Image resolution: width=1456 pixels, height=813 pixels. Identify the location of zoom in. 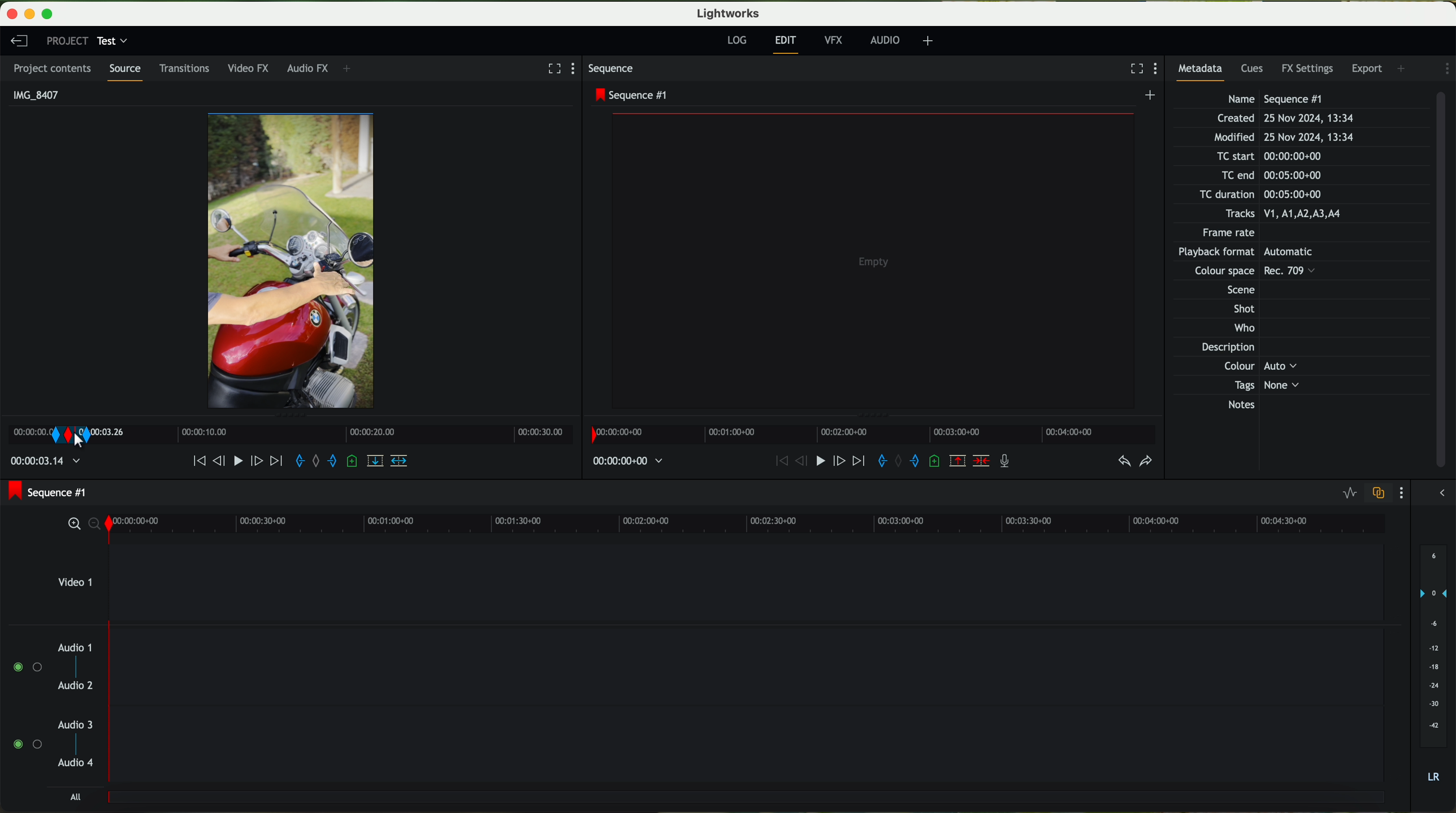
(69, 525).